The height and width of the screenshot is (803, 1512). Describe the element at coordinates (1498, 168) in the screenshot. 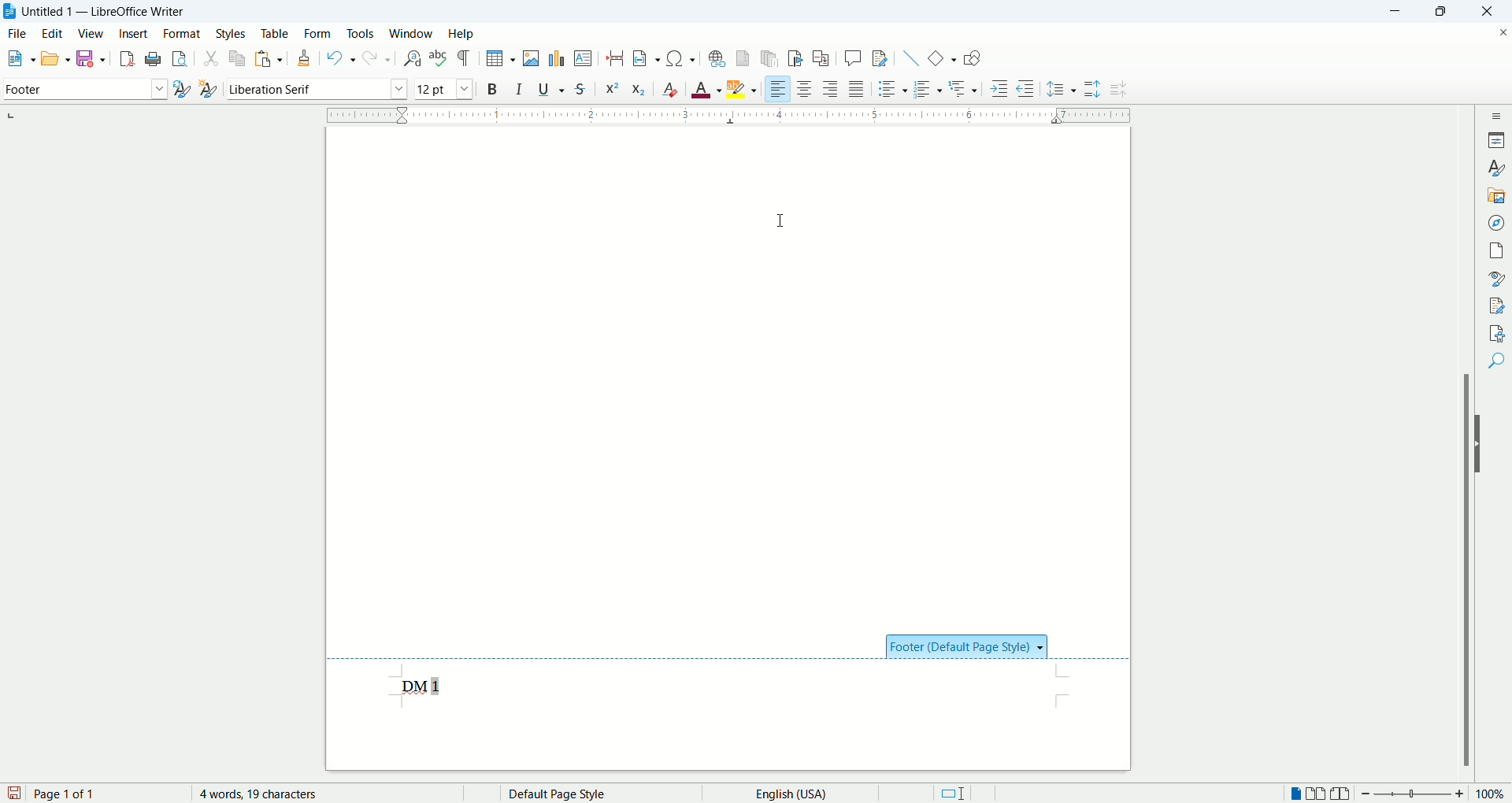

I see `styles` at that location.